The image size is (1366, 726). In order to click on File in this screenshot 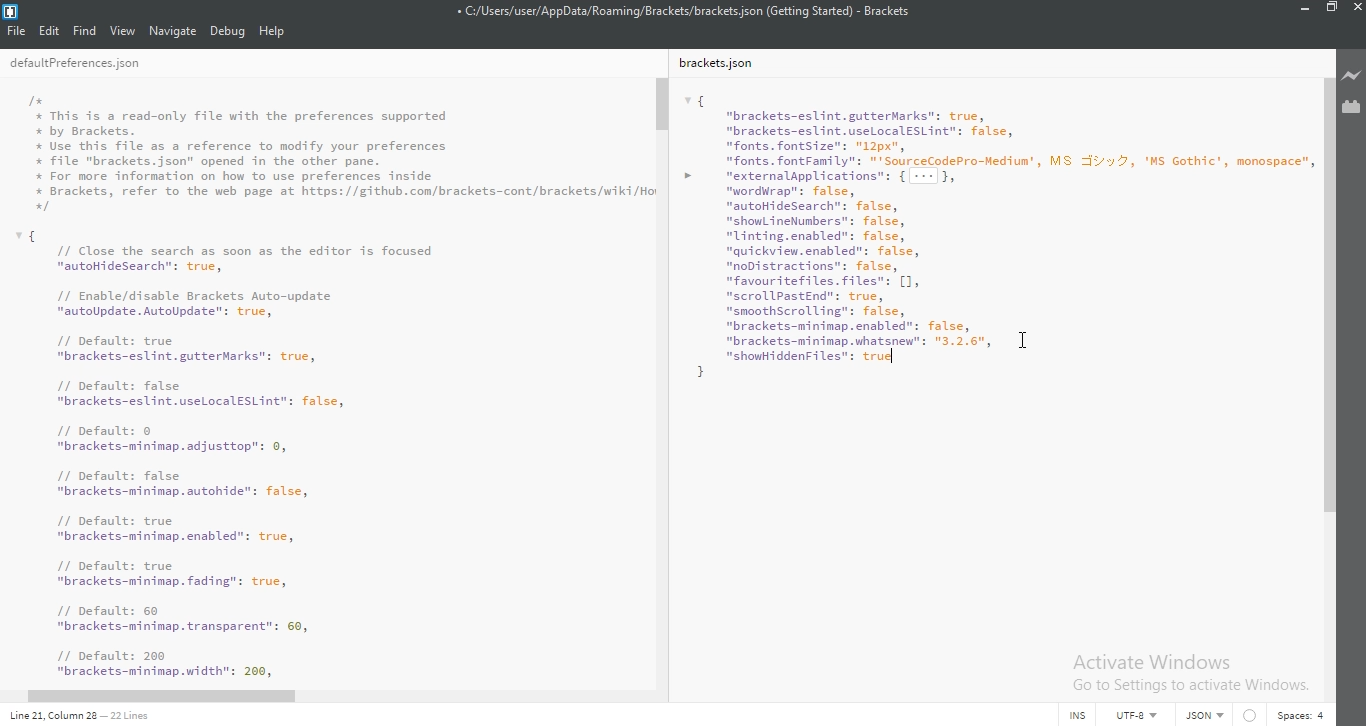, I will do `click(18, 30)`.